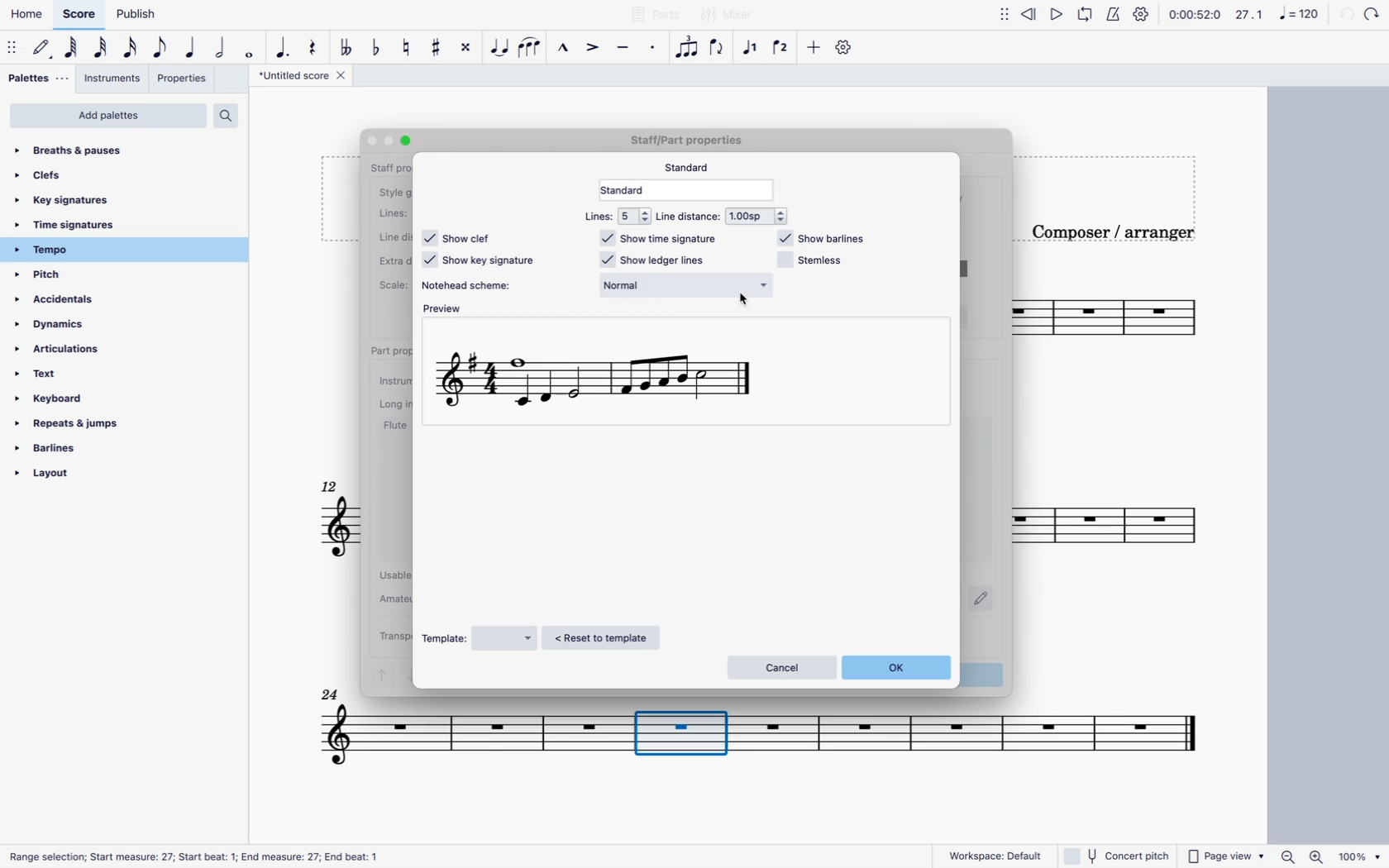 The height and width of the screenshot is (868, 1389). What do you see at coordinates (692, 190) in the screenshot?
I see `standard` at bounding box center [692, 190].